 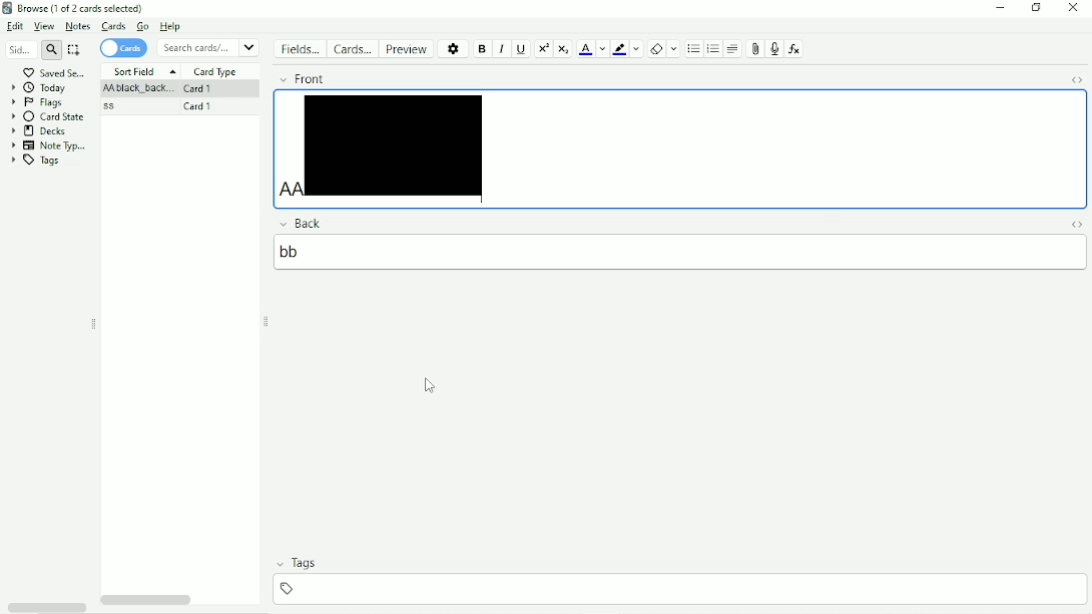 What do you see at coordinates (352, 49) in the screenshot?
I see `Cards` at bounding box center [352, 49].